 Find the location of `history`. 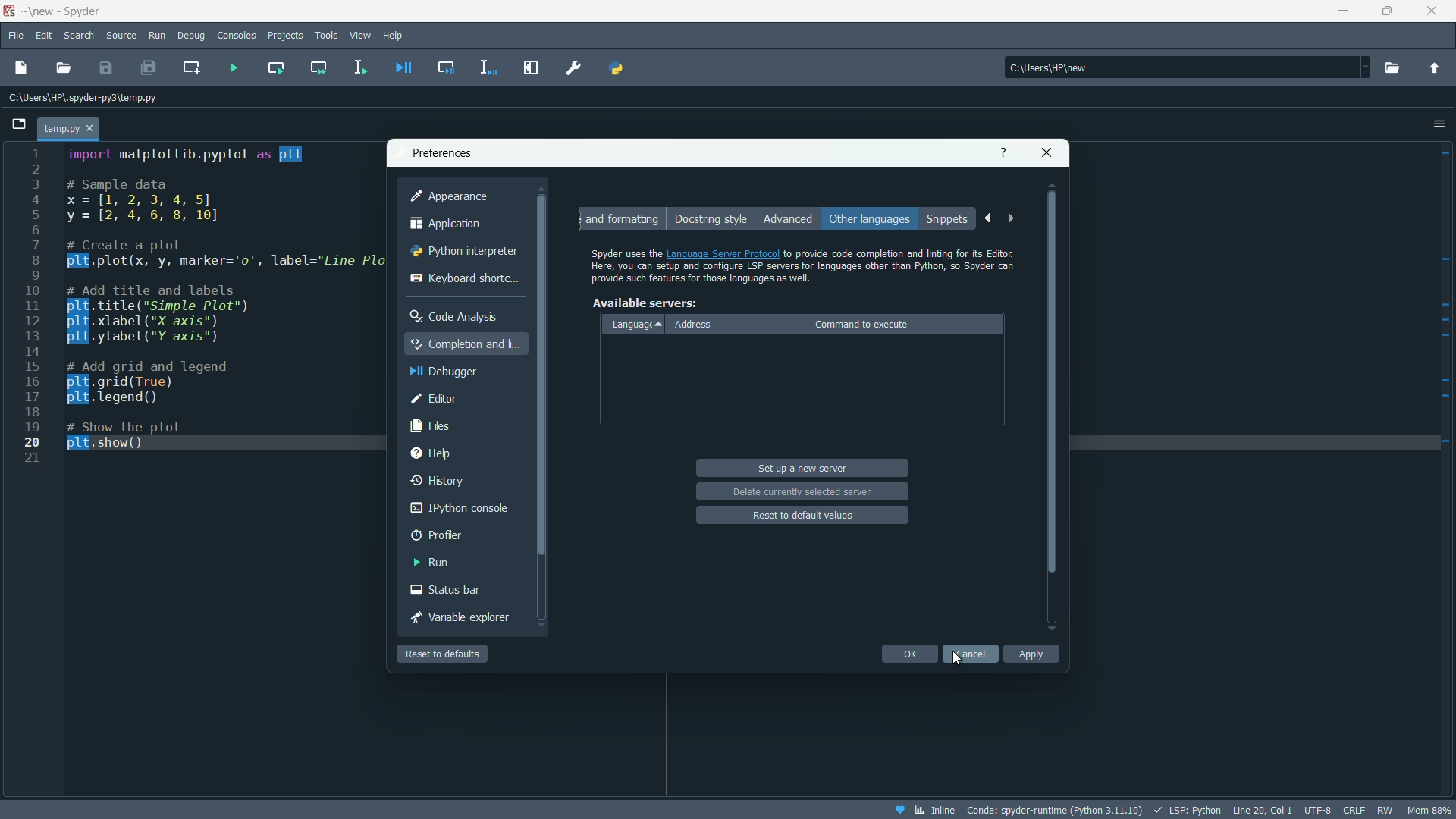

history is located at coordinates (439, 479).